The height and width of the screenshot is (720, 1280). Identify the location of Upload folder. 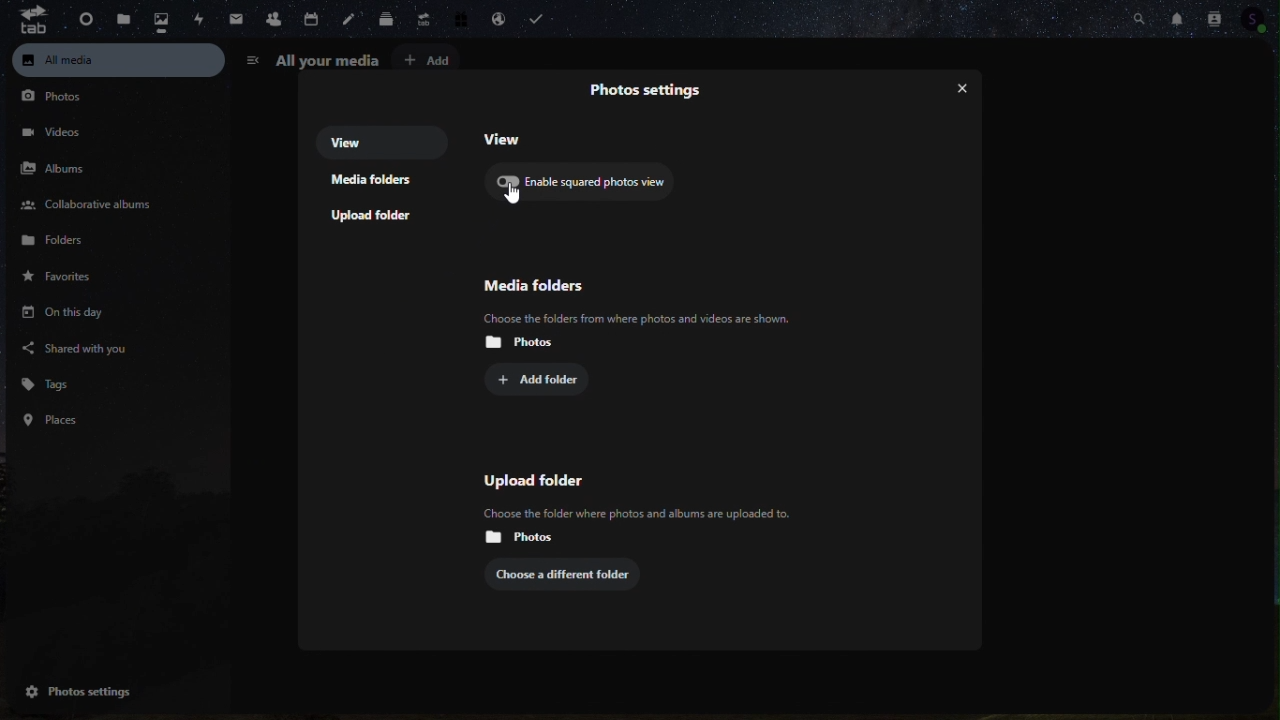
(547, 479).